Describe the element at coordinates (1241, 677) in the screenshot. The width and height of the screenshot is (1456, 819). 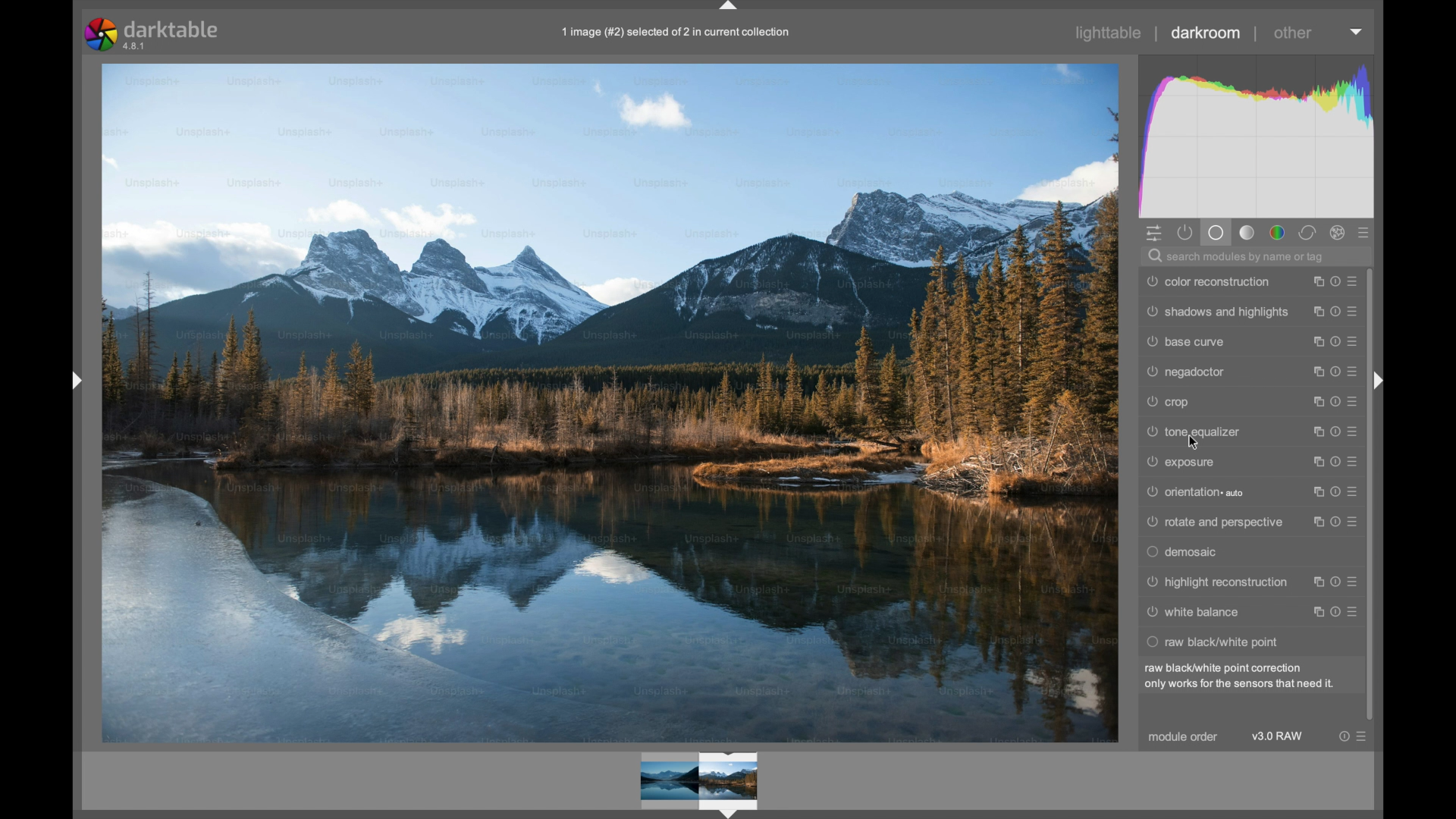
I see `raw black/white point correction
only works for the sensors that need it.` at that location.